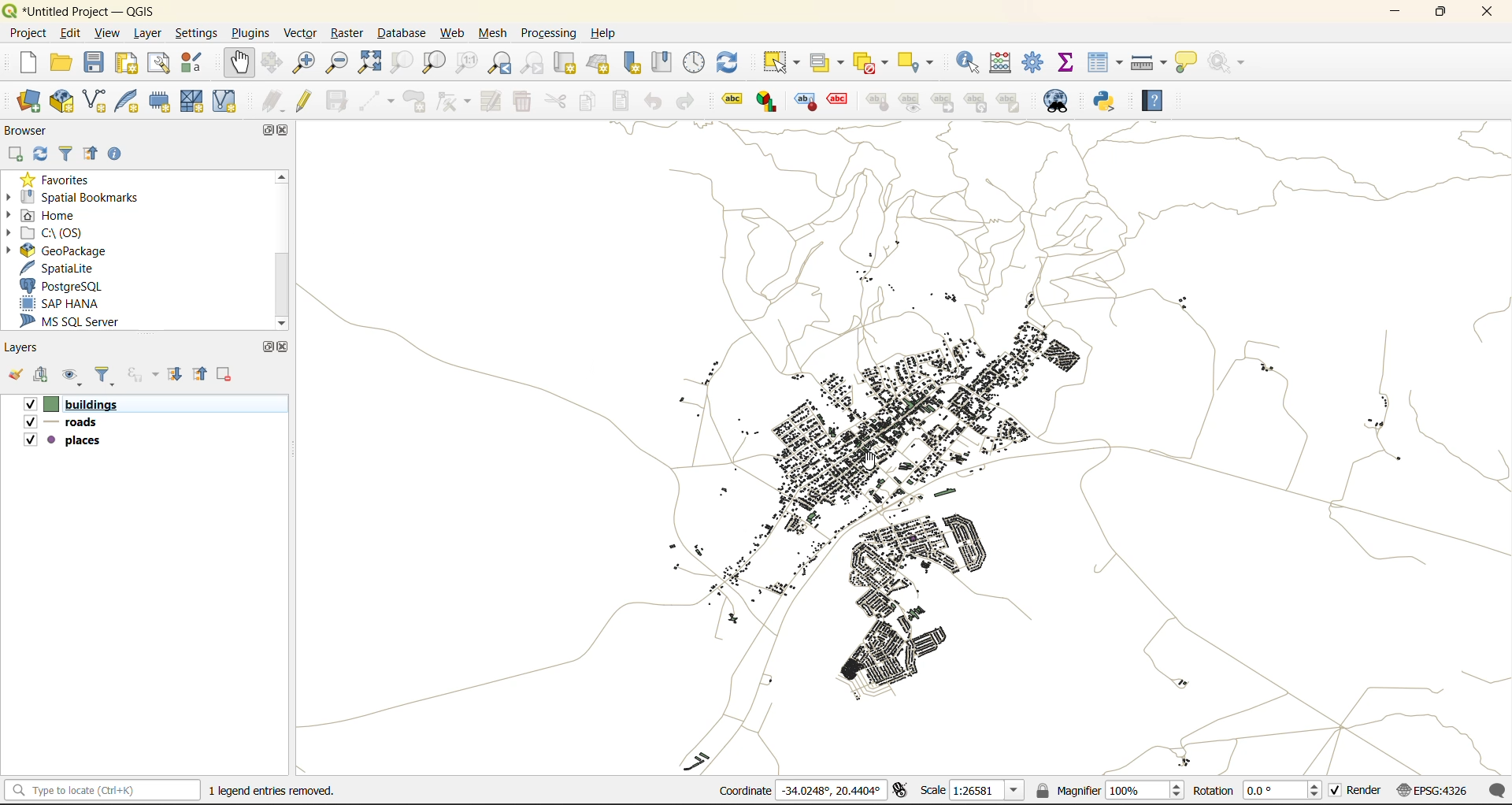  What do you see at coordinates (60, 178) in the screenshot?
I see `favorites` at bounding box center [60, 178].